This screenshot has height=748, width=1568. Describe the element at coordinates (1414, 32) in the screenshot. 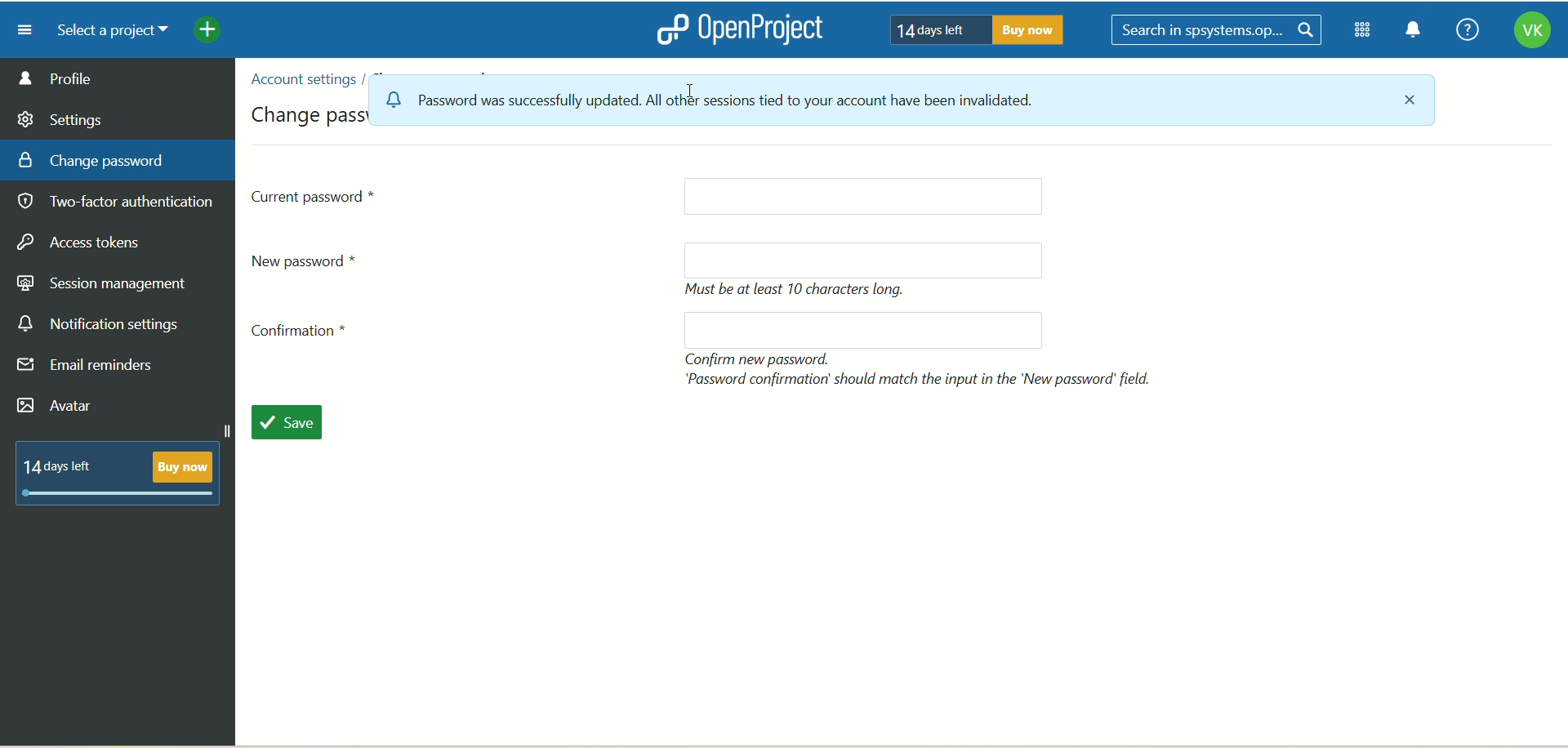

I see `notification` at that location.